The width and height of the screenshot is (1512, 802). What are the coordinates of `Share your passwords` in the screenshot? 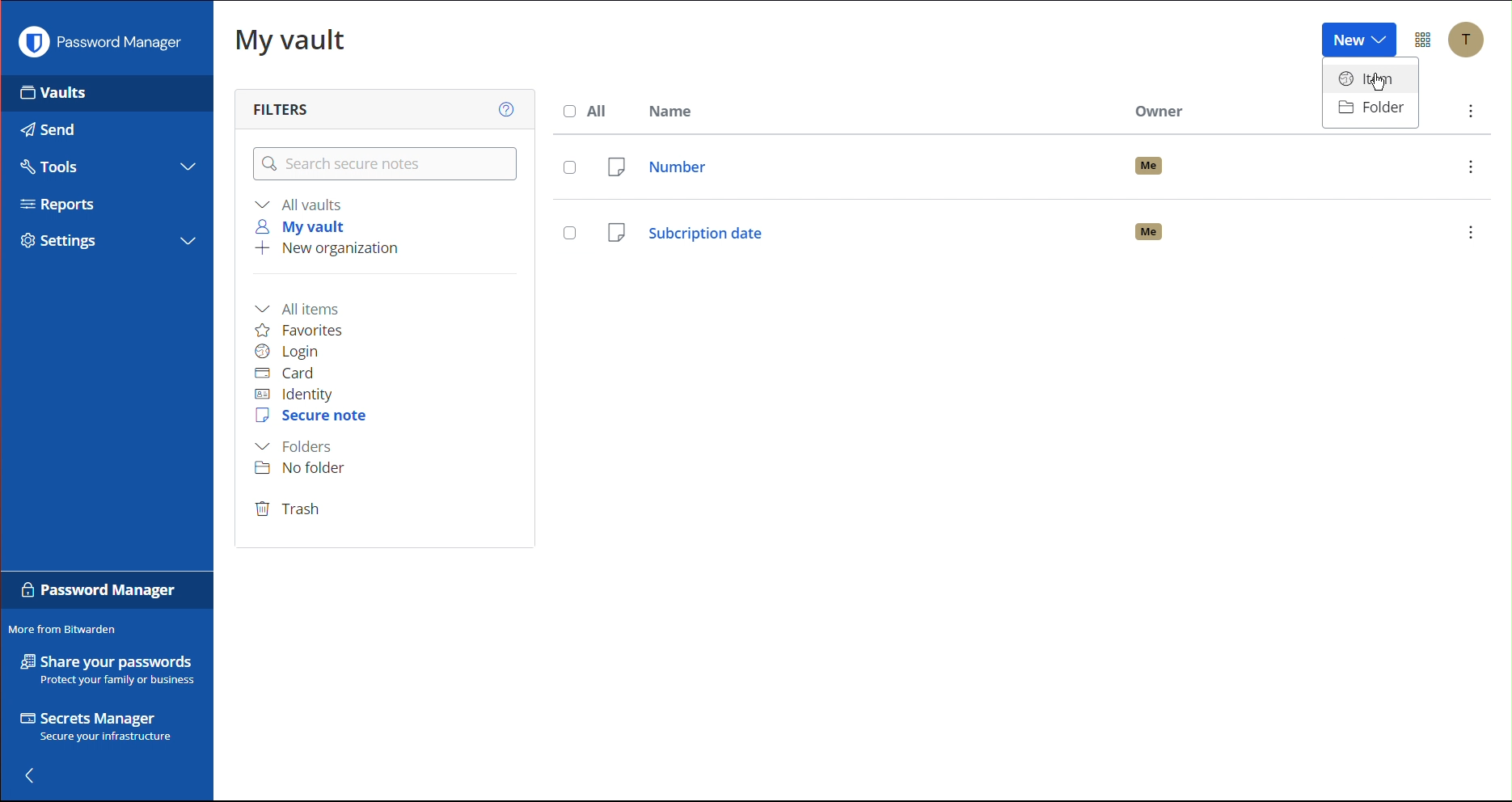 It's located at (103, 670).